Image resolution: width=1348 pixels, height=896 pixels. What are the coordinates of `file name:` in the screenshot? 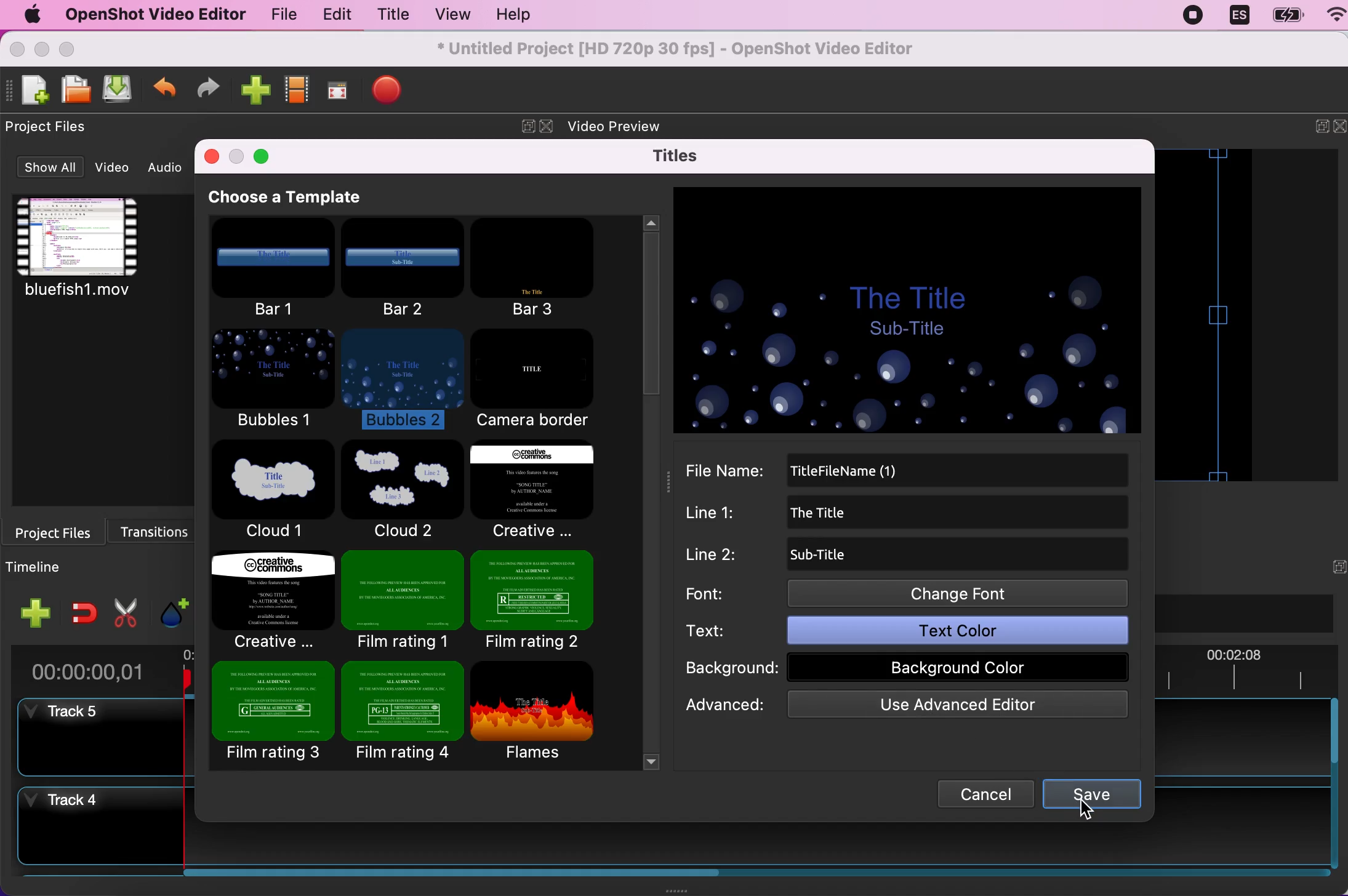 It's located at (731, 471).